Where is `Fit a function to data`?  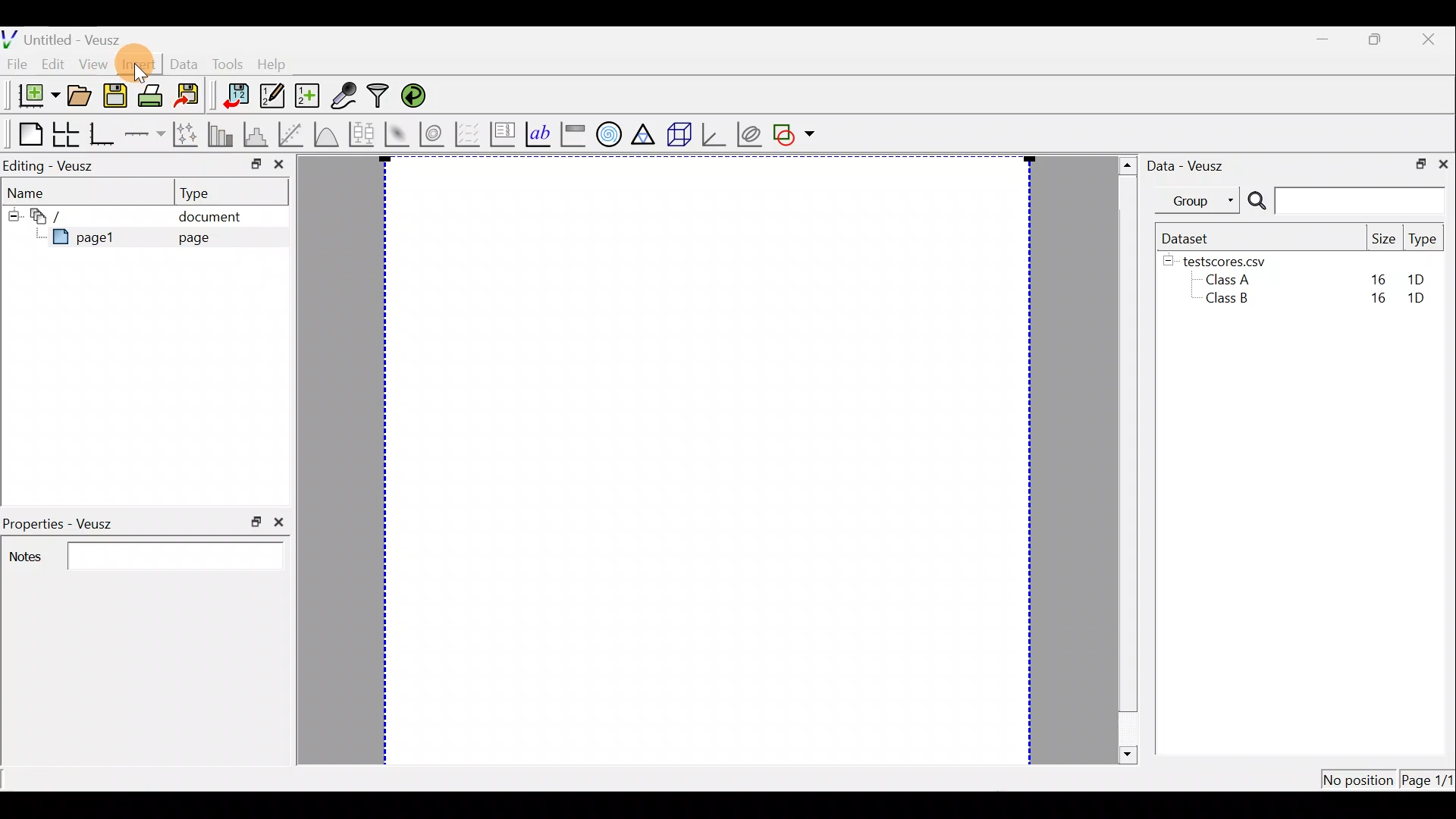 Fit a function to data is located at coordinates (292, 133).